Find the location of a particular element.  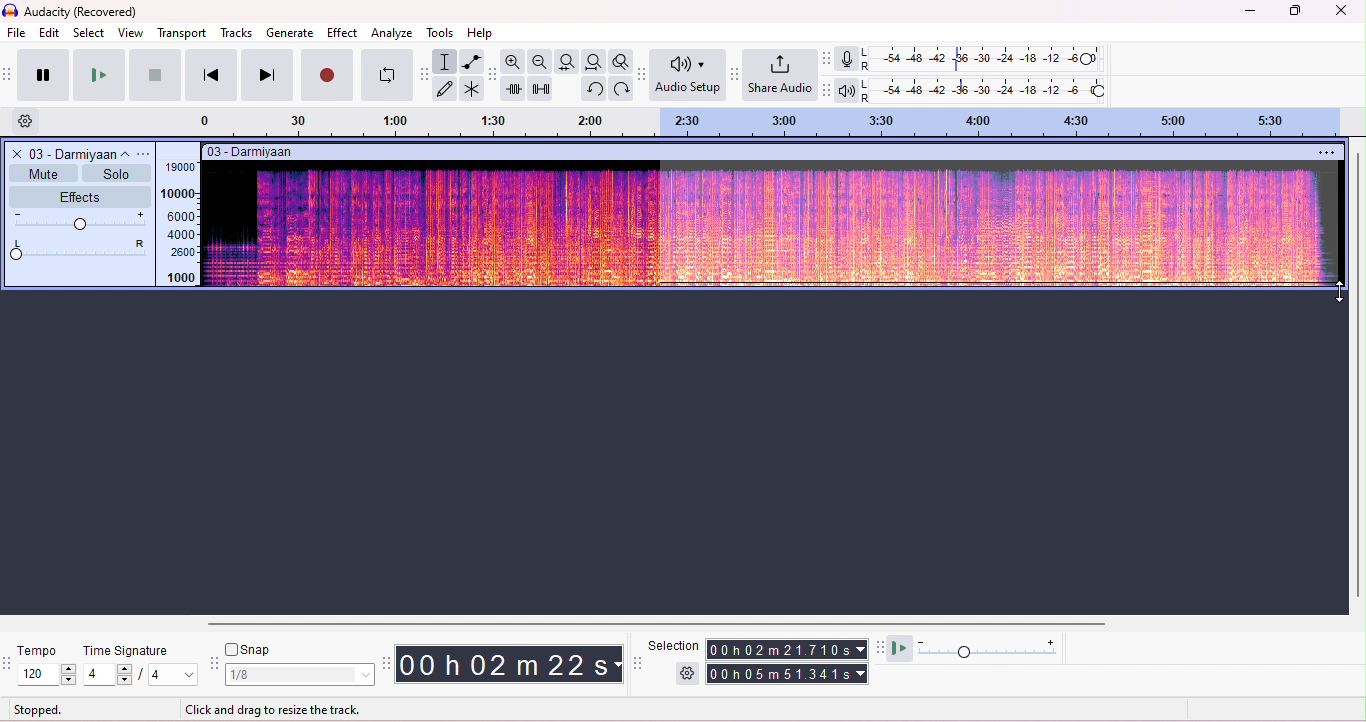

snap tool bar is located at coordinates (217, 664).